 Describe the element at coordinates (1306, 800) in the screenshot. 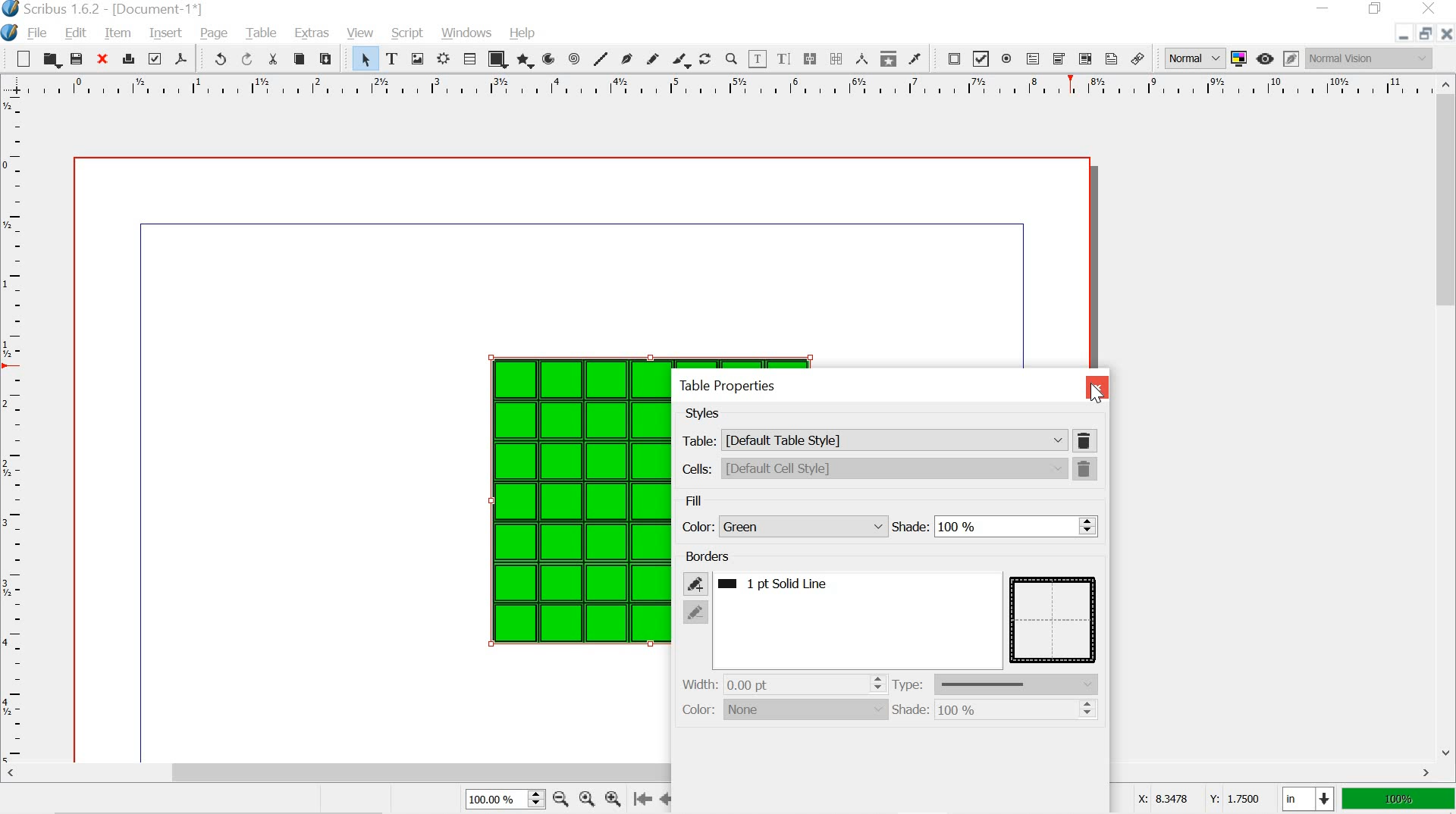

I see `in` at that location.